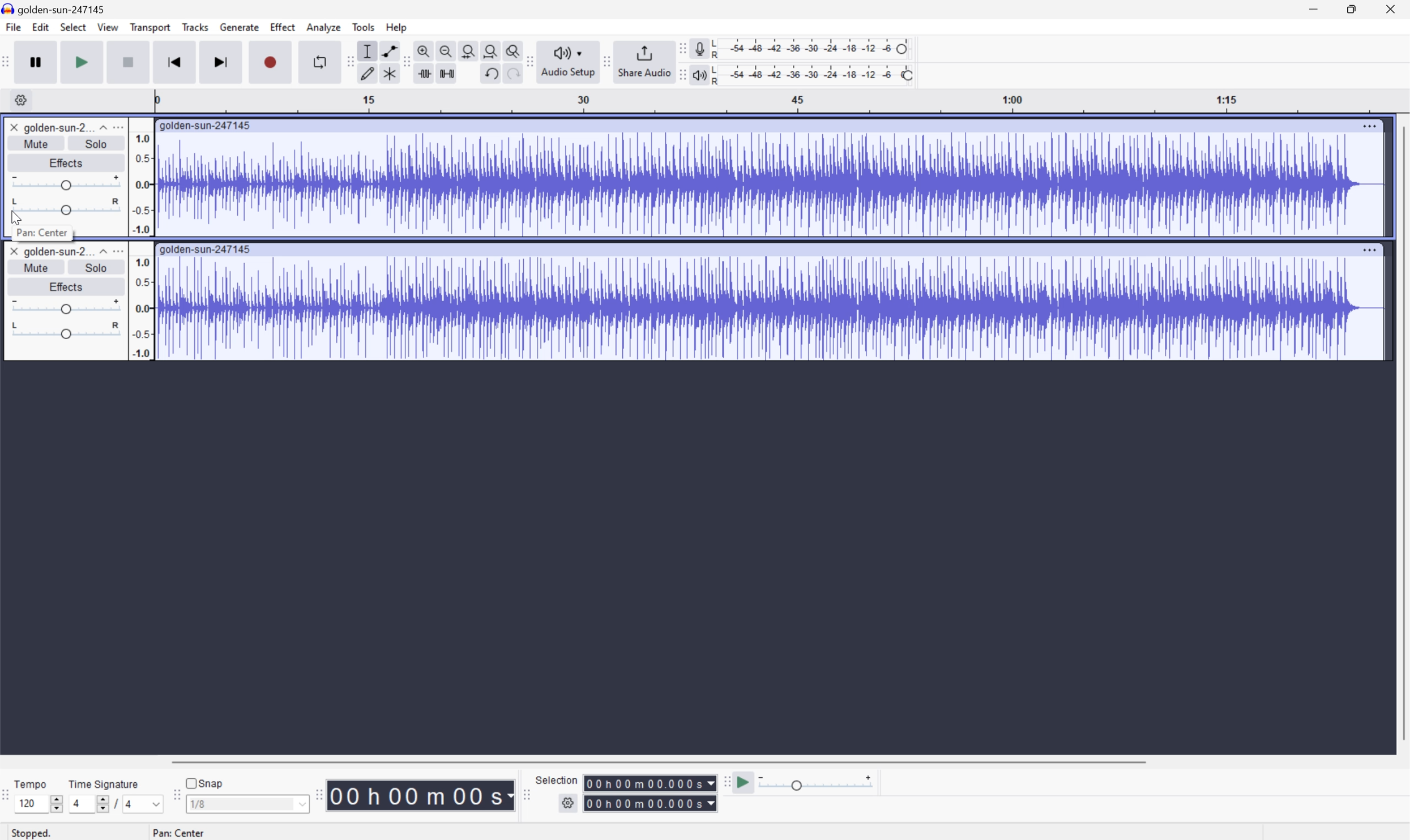 This screenshot has width=1410, height=840. Describe the element at coordinates (100, 253) in the screenshot. I see `Drop Down` at that location.